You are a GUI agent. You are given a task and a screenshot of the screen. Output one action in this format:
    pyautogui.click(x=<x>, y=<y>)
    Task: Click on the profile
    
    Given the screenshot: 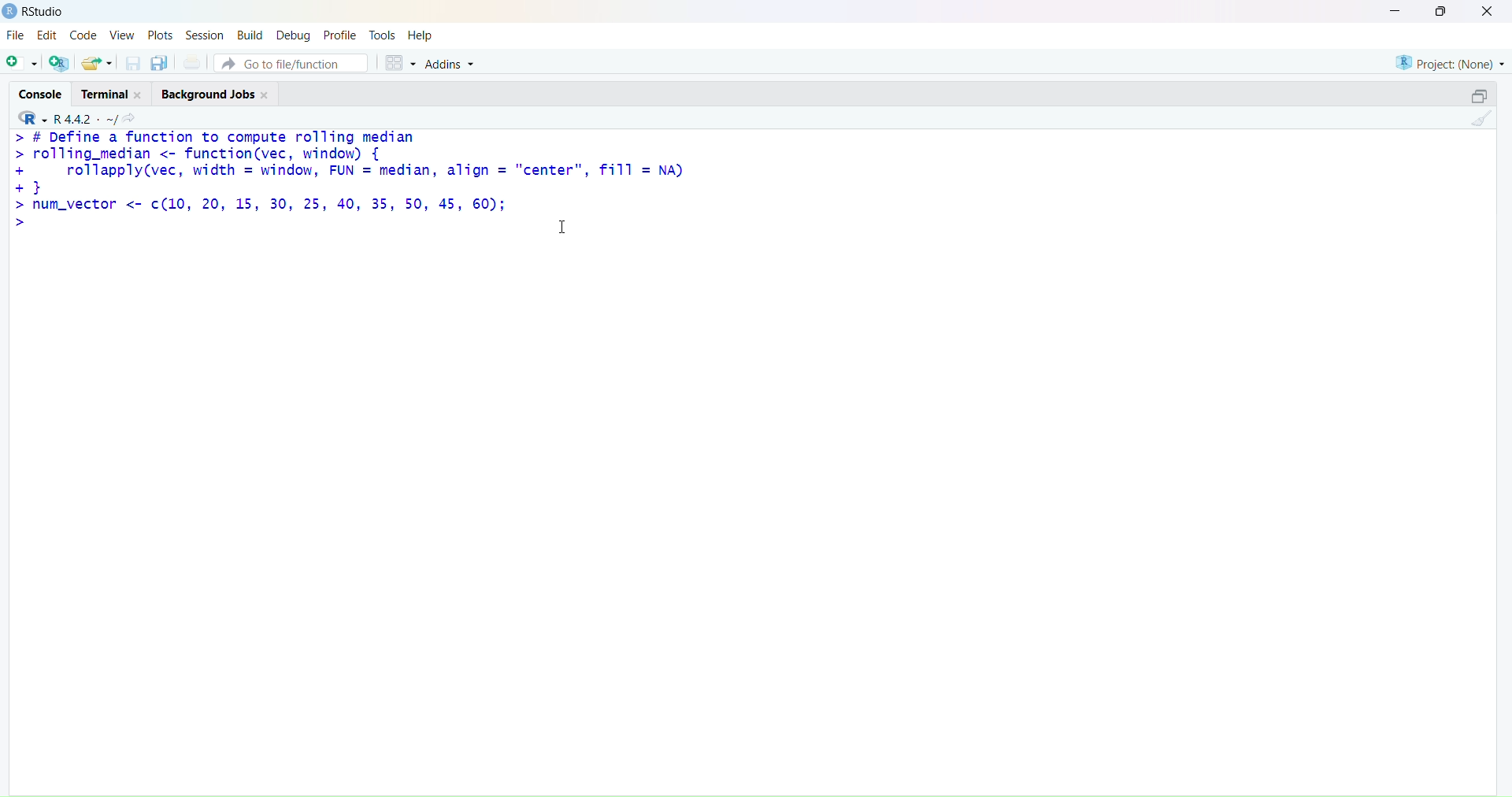 What is the action you would take?
    pyautogui.click(x=339, y=35)
    